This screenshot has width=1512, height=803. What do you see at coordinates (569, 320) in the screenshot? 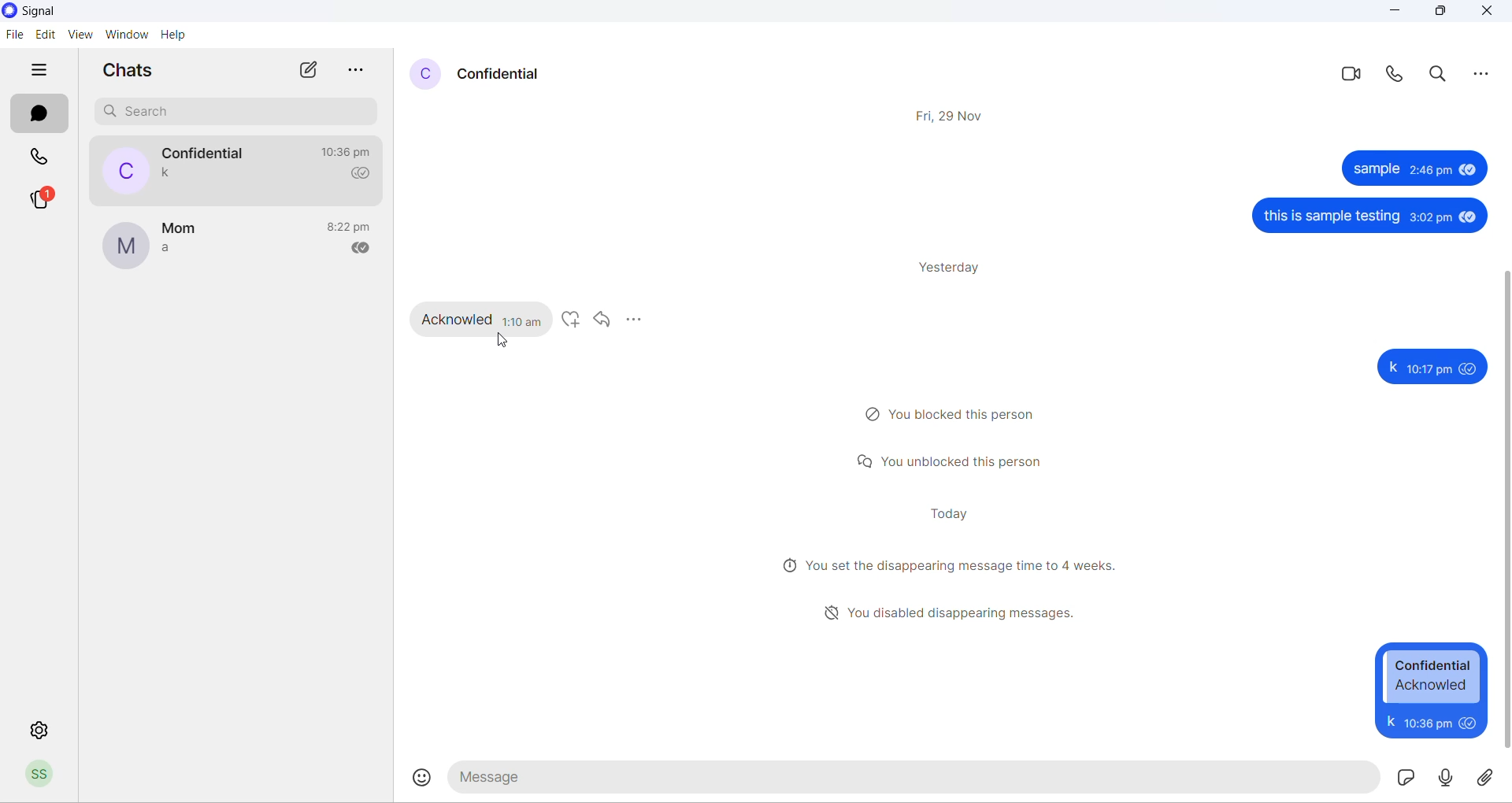
I see `like` at bounding box center [569, 320].